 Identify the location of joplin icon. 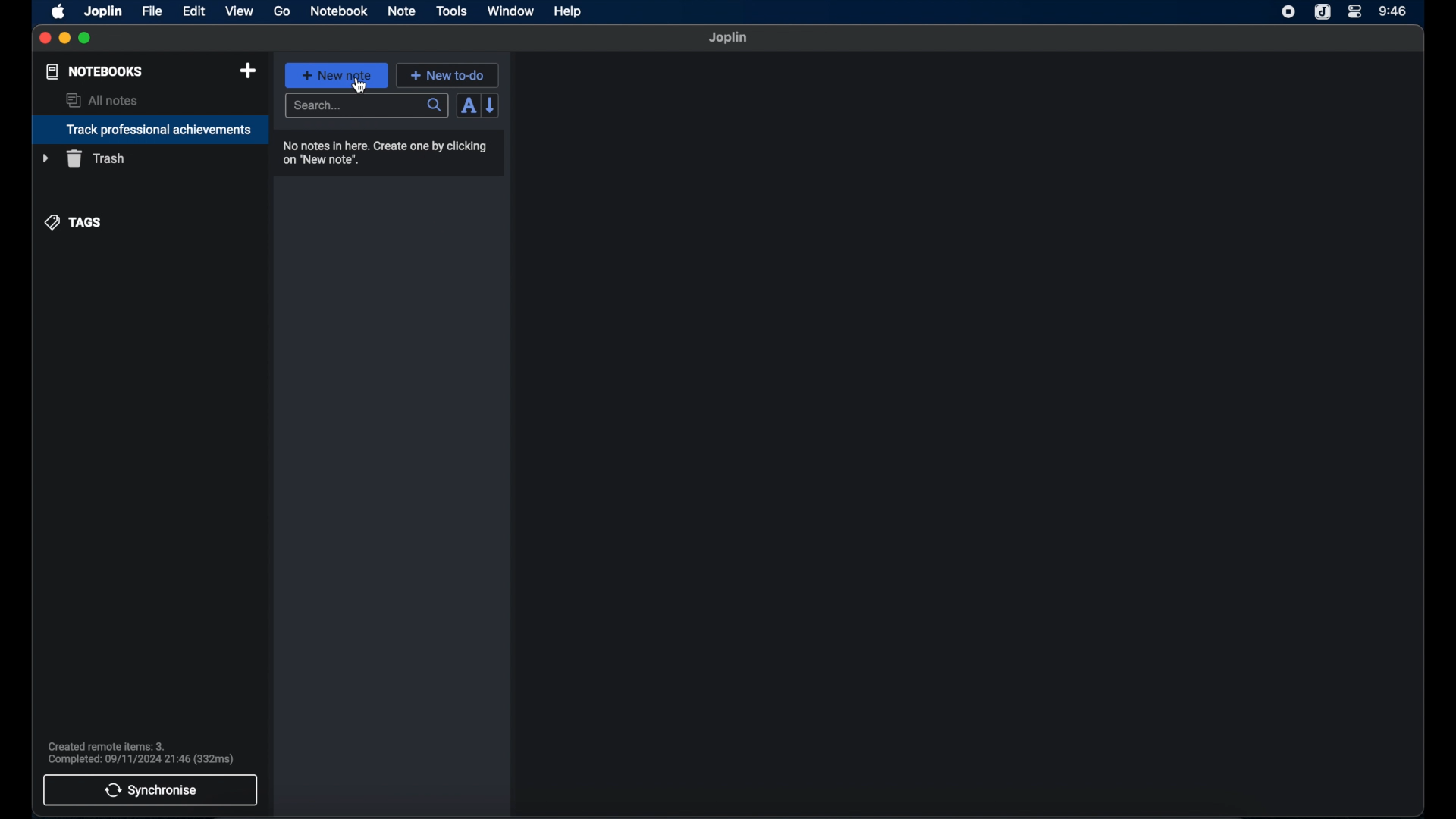
(1288, 13).